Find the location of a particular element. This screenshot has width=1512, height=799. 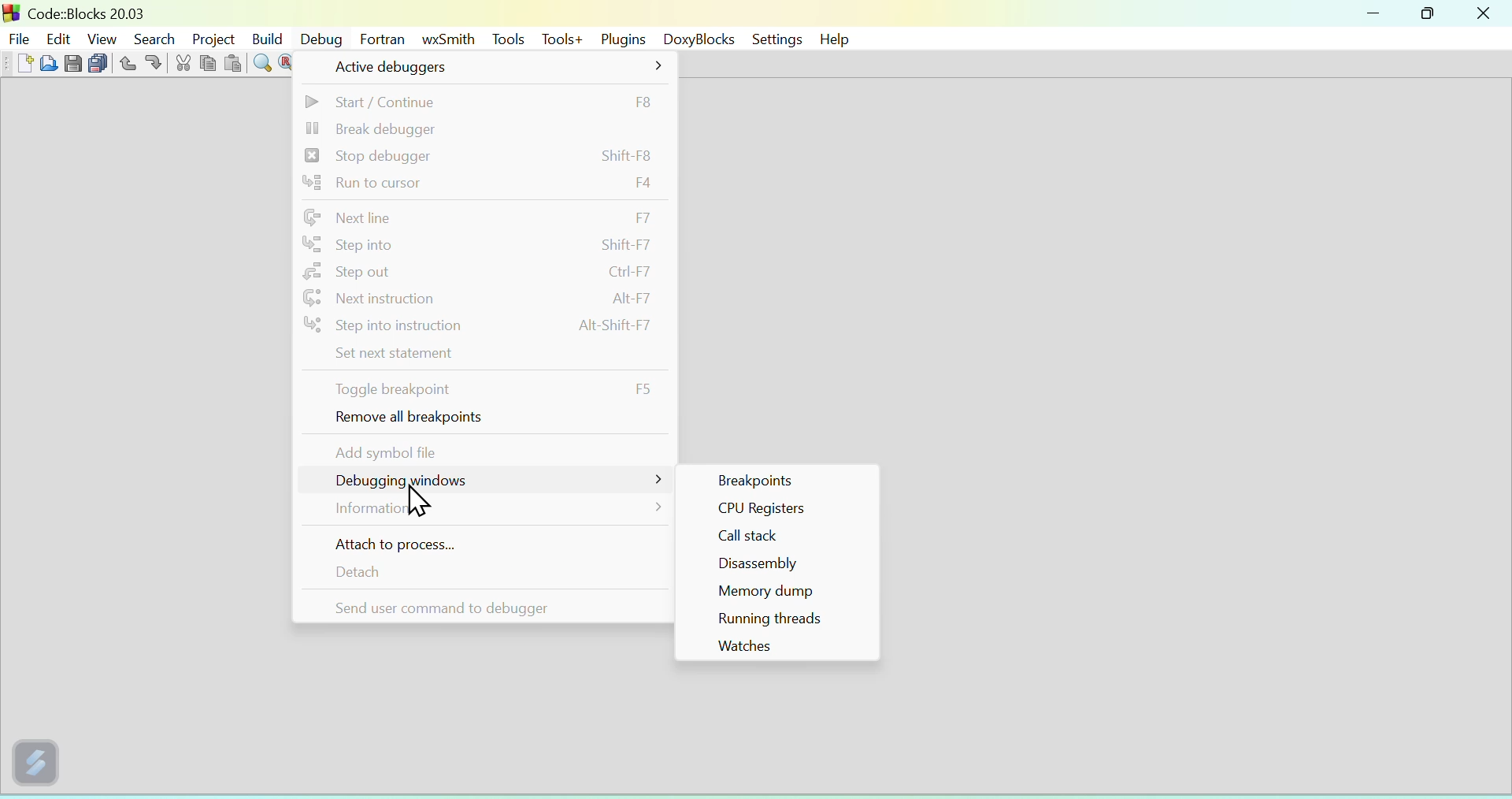

send user command to debugger is located at coordinates (478, 605).